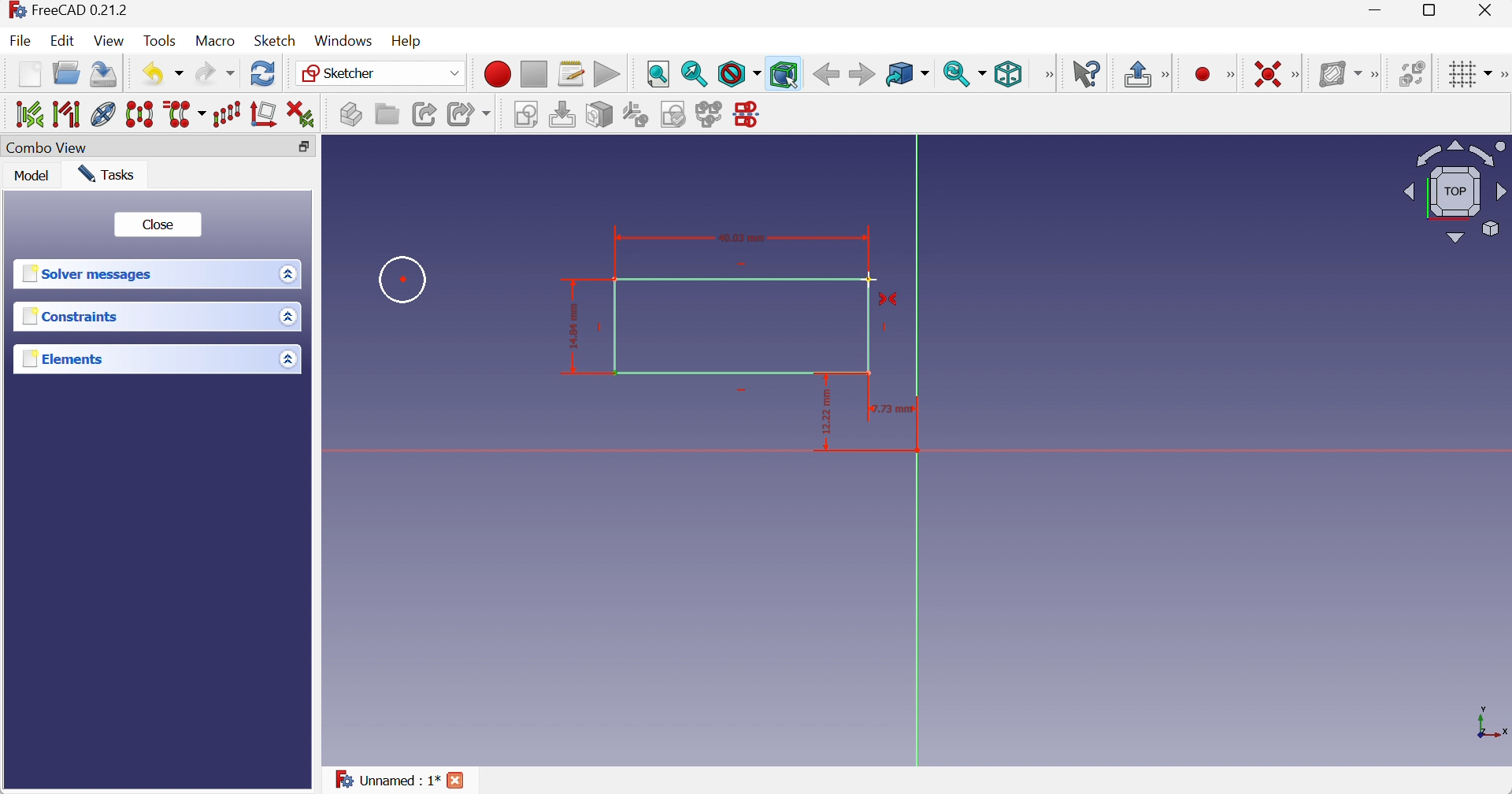 This screenshot has width=1512, height=794. I want to click on Elements, so click(69, 358).